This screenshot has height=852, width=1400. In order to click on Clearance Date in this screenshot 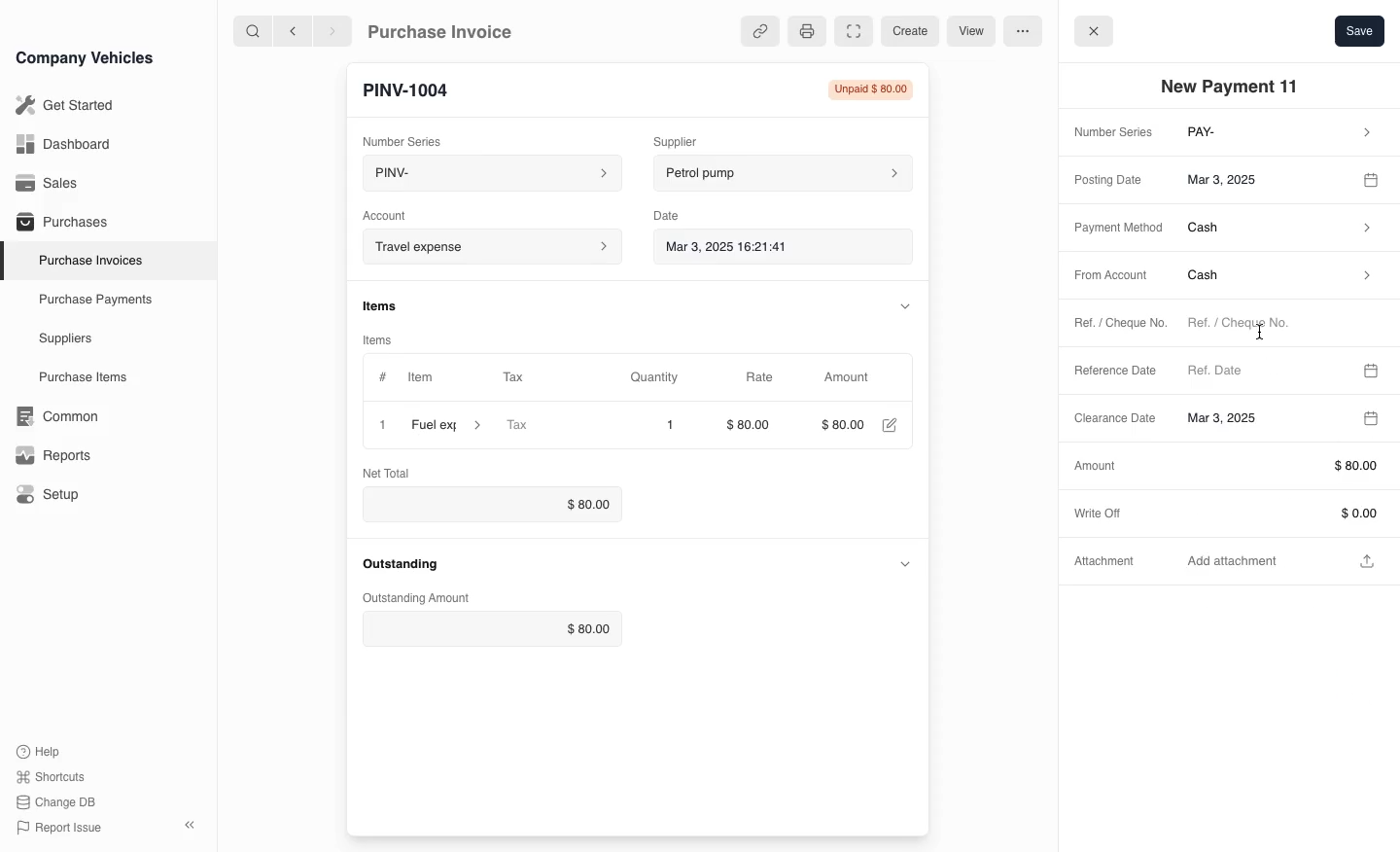, I will do `click(1255, 419)`.